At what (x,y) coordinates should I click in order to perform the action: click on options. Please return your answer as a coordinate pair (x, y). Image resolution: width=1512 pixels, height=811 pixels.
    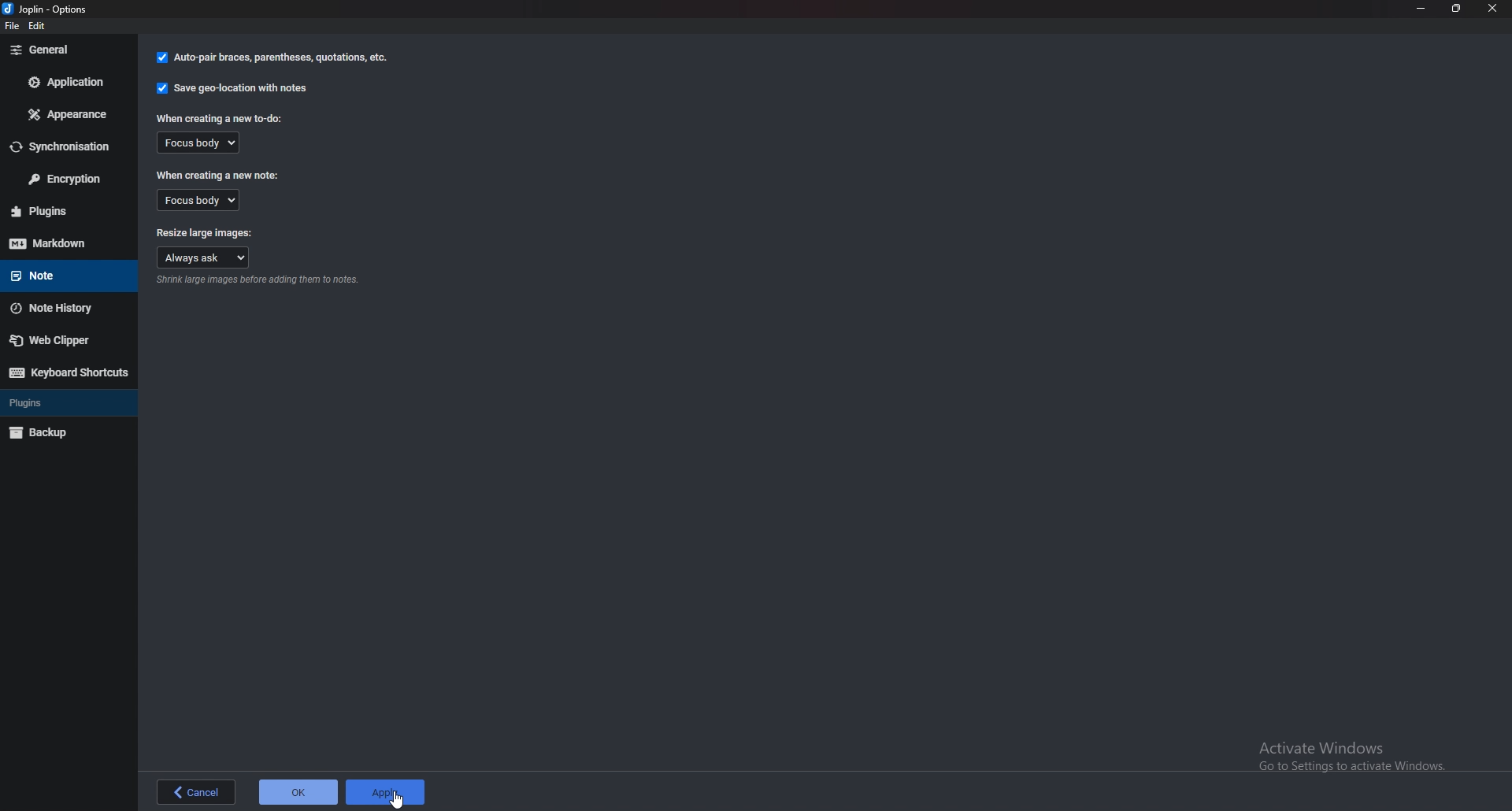
    Looking at the image, I should click on (52, 9).